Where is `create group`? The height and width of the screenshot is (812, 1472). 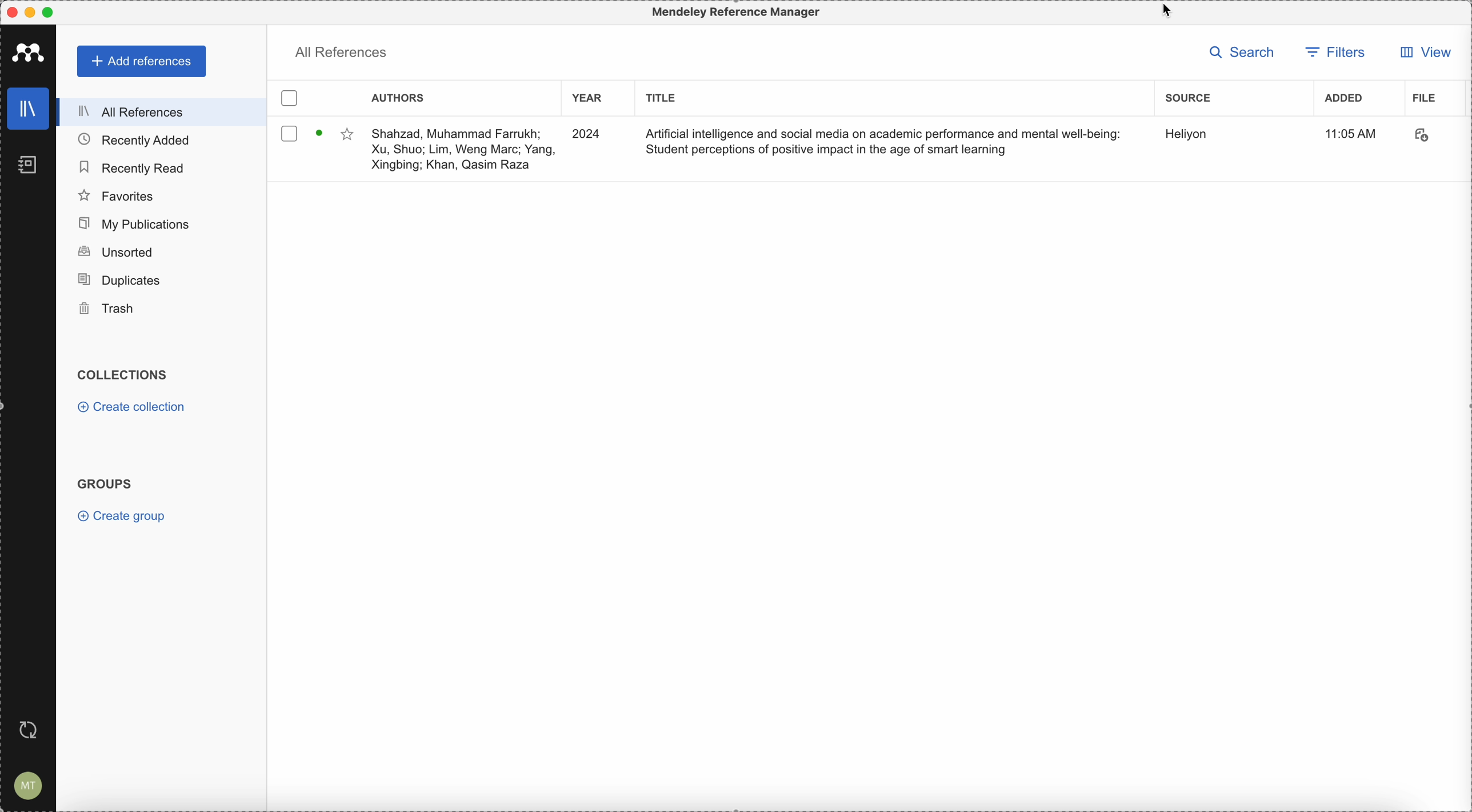 create group is located at coordinates (122, 517).